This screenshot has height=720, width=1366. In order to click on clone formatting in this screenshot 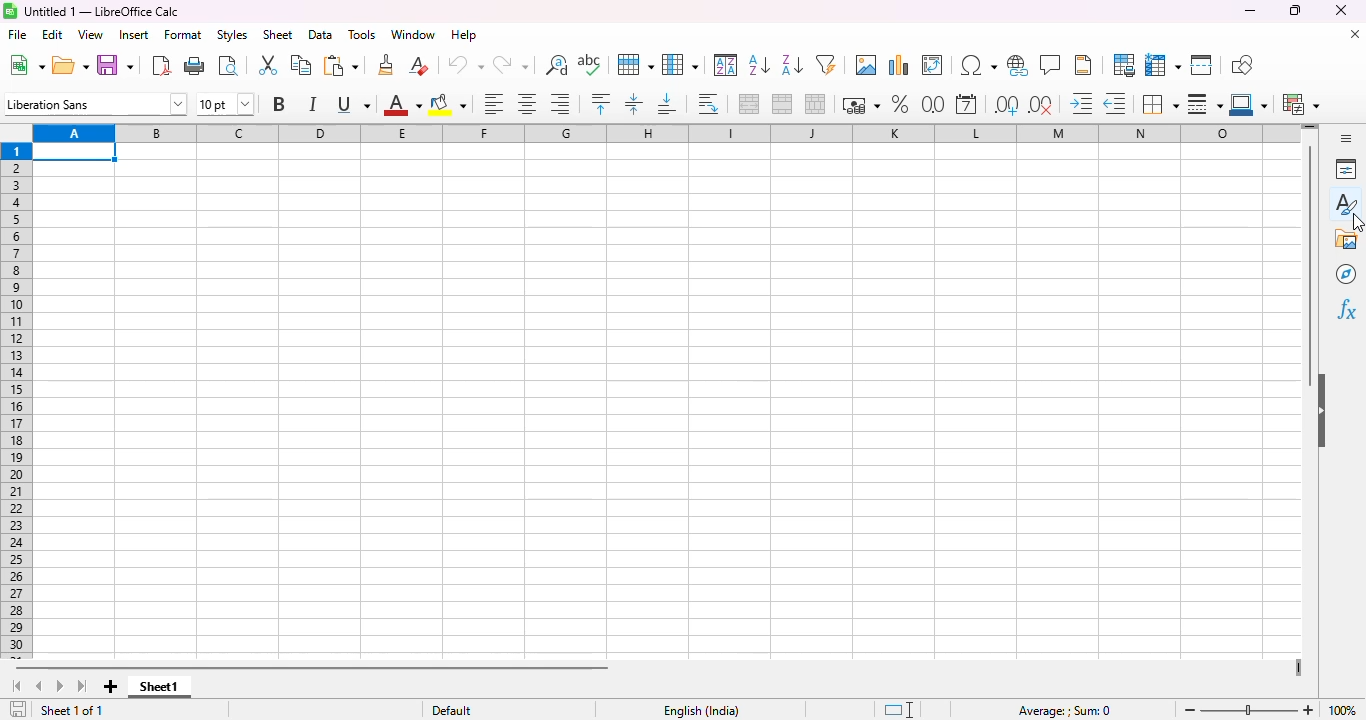, I will do `click(386, 65)`.